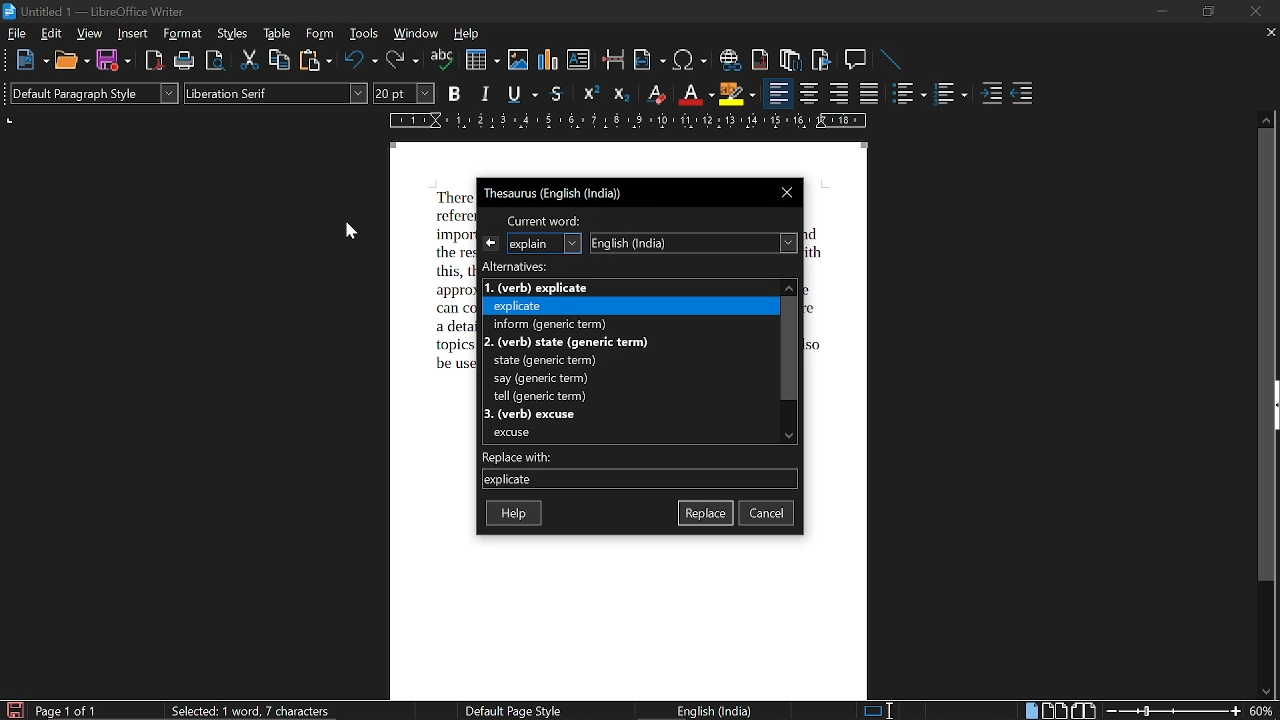 The image size is (1280, 720). I want to click on form, so click(322, 34).